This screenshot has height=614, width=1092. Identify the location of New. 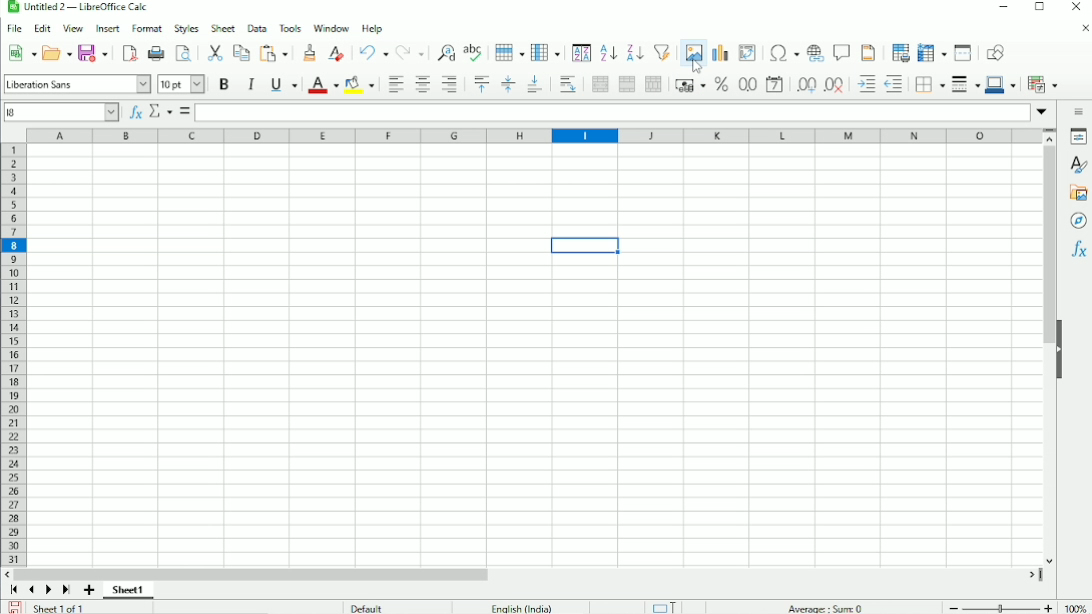
(19, 54).